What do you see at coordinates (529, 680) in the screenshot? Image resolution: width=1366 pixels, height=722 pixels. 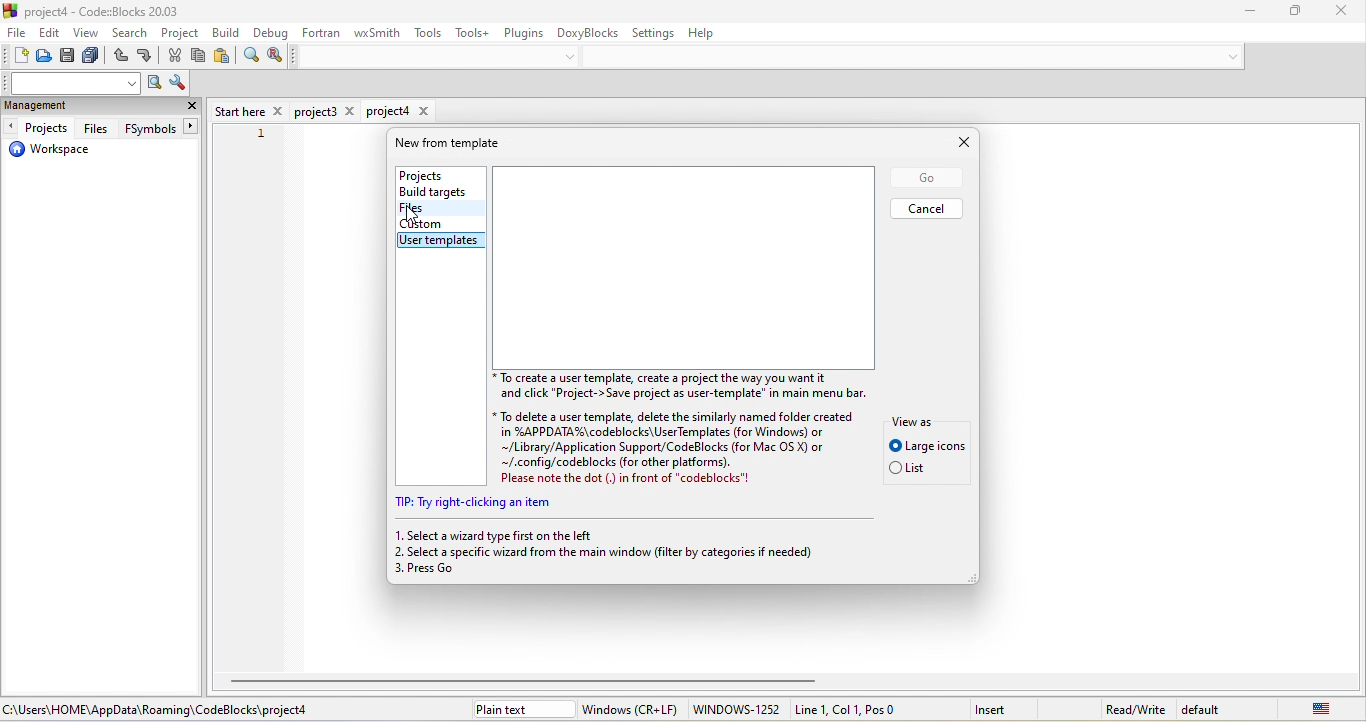 I see `horizontal scroll bar` at bounding box center [529, 680].